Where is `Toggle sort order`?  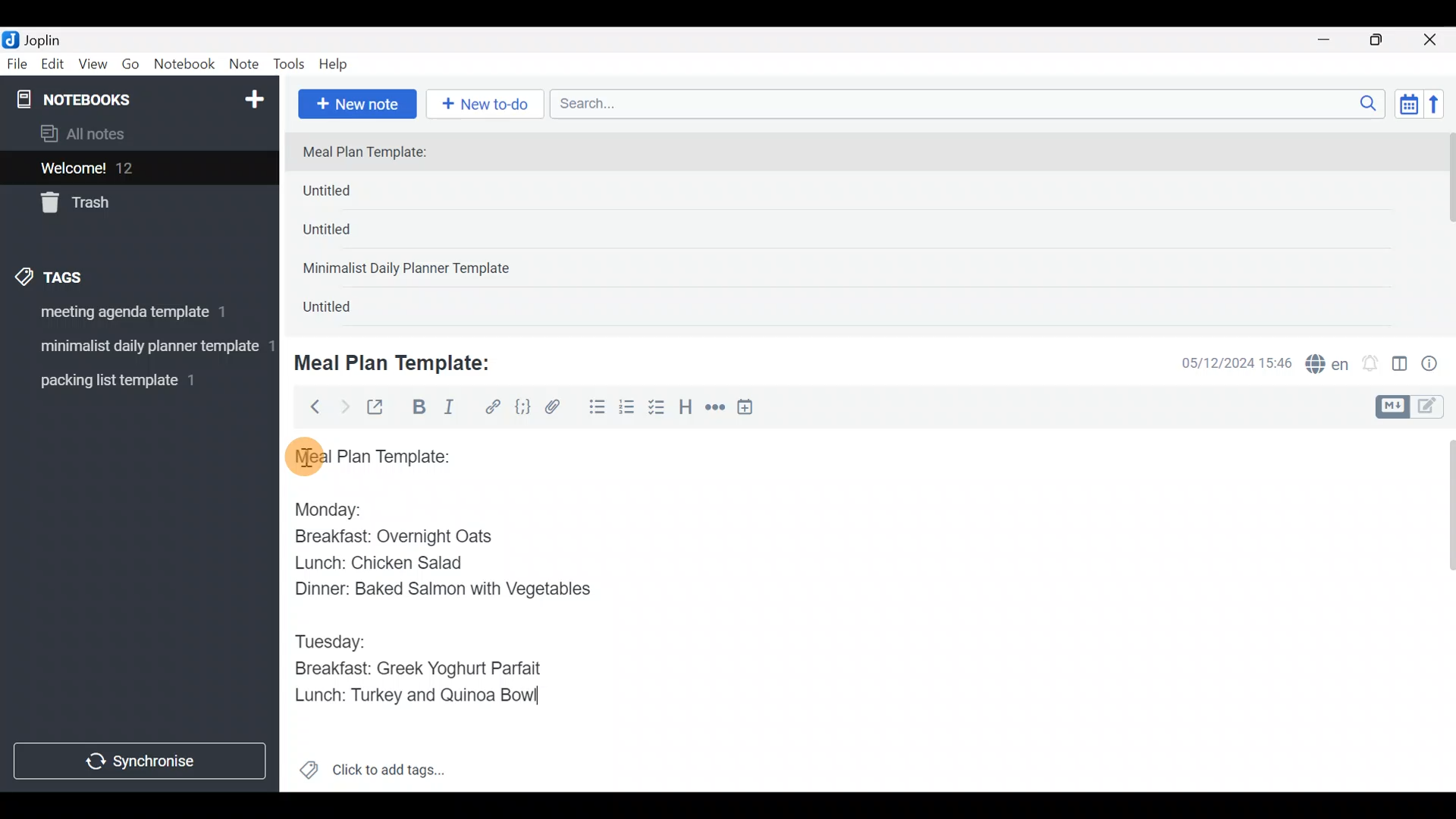
Toggle sort order is located at coordinates (1408, 105).